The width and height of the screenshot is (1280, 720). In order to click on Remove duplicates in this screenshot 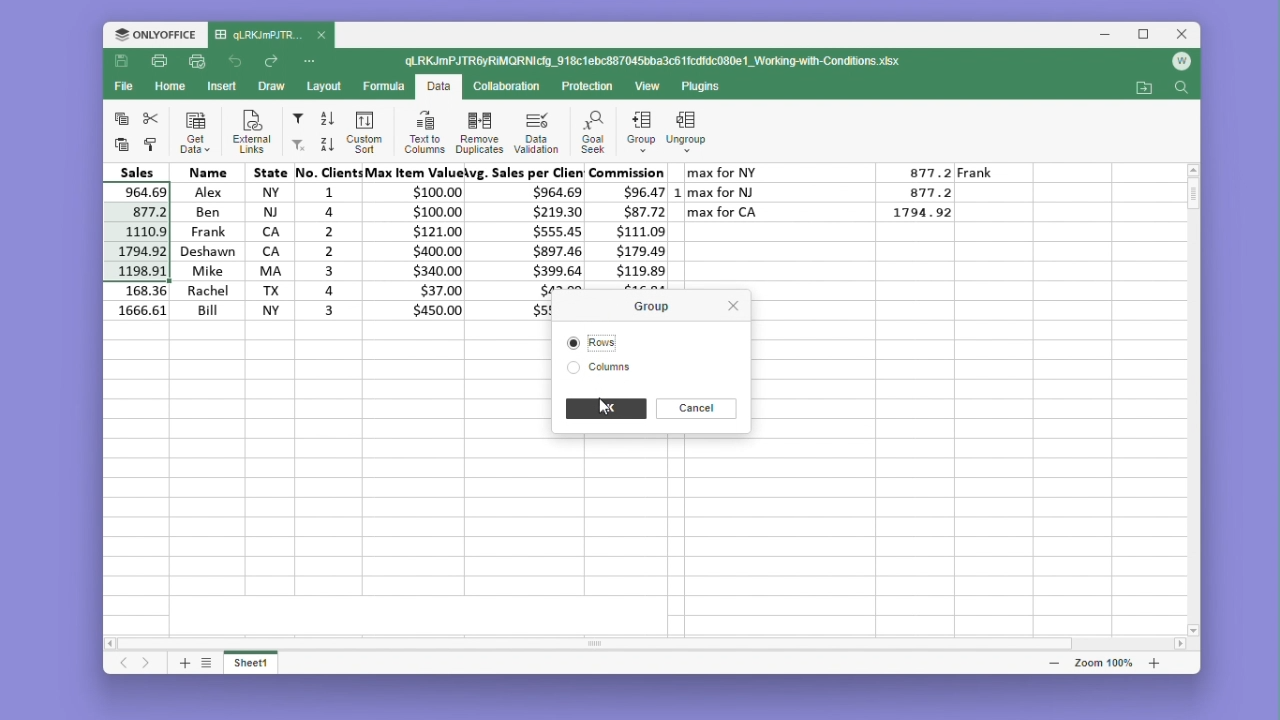, I will do `click(479, 131)`.